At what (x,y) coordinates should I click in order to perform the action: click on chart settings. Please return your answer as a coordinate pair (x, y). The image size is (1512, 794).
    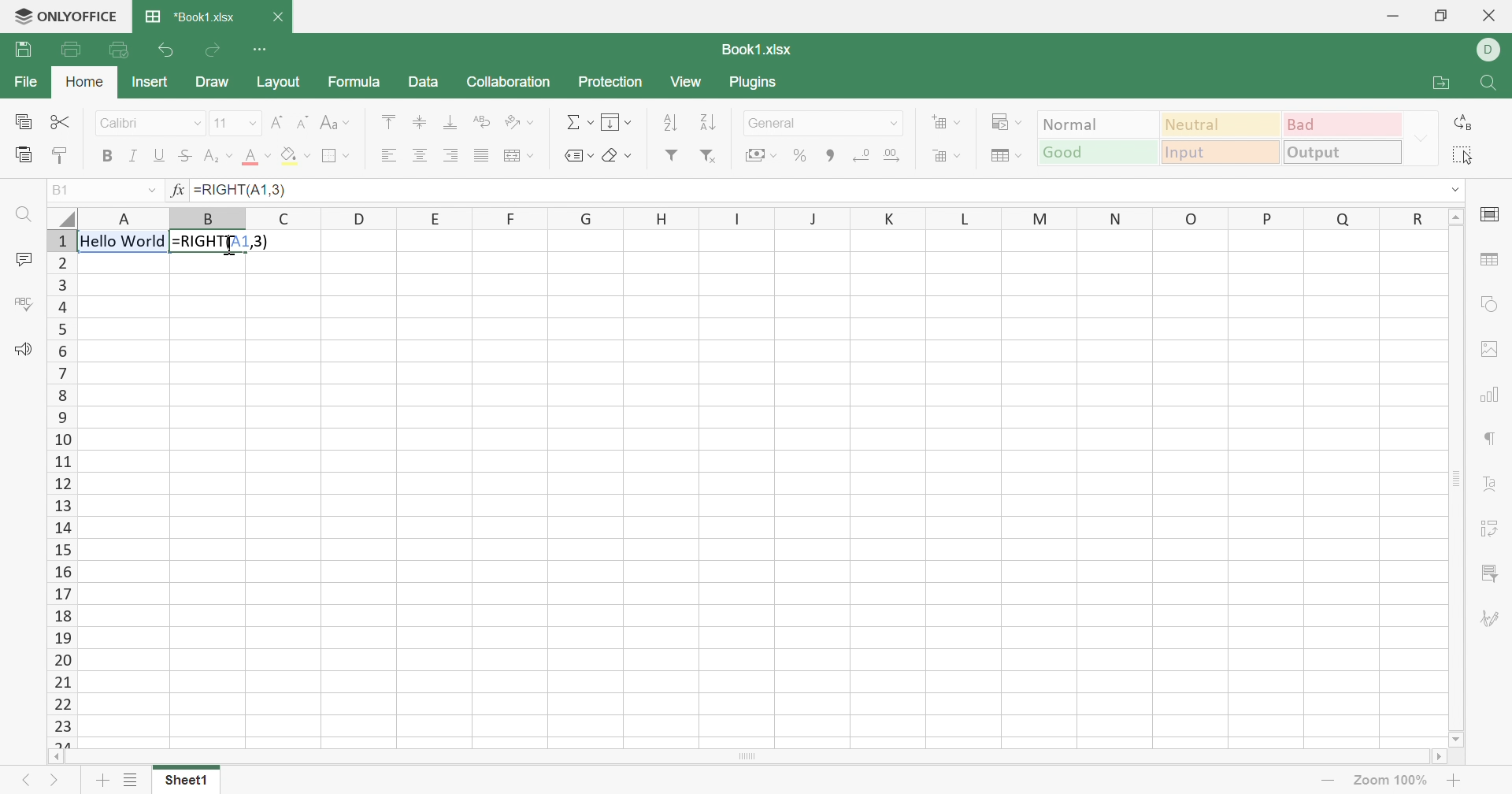
    Looking at the image, I should click on (1488, 396).